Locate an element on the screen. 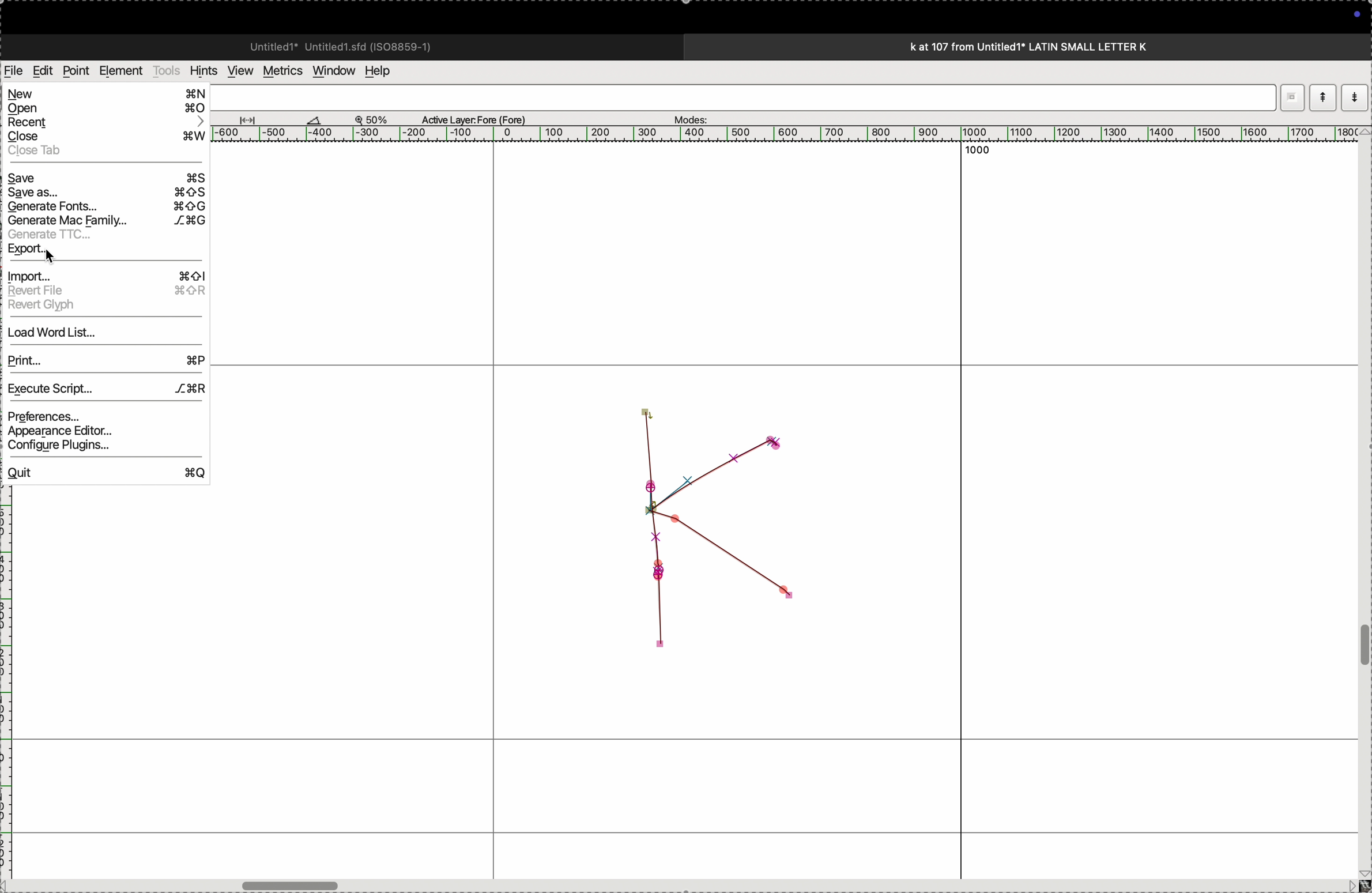  execute script is located at coordinates (107, 387).